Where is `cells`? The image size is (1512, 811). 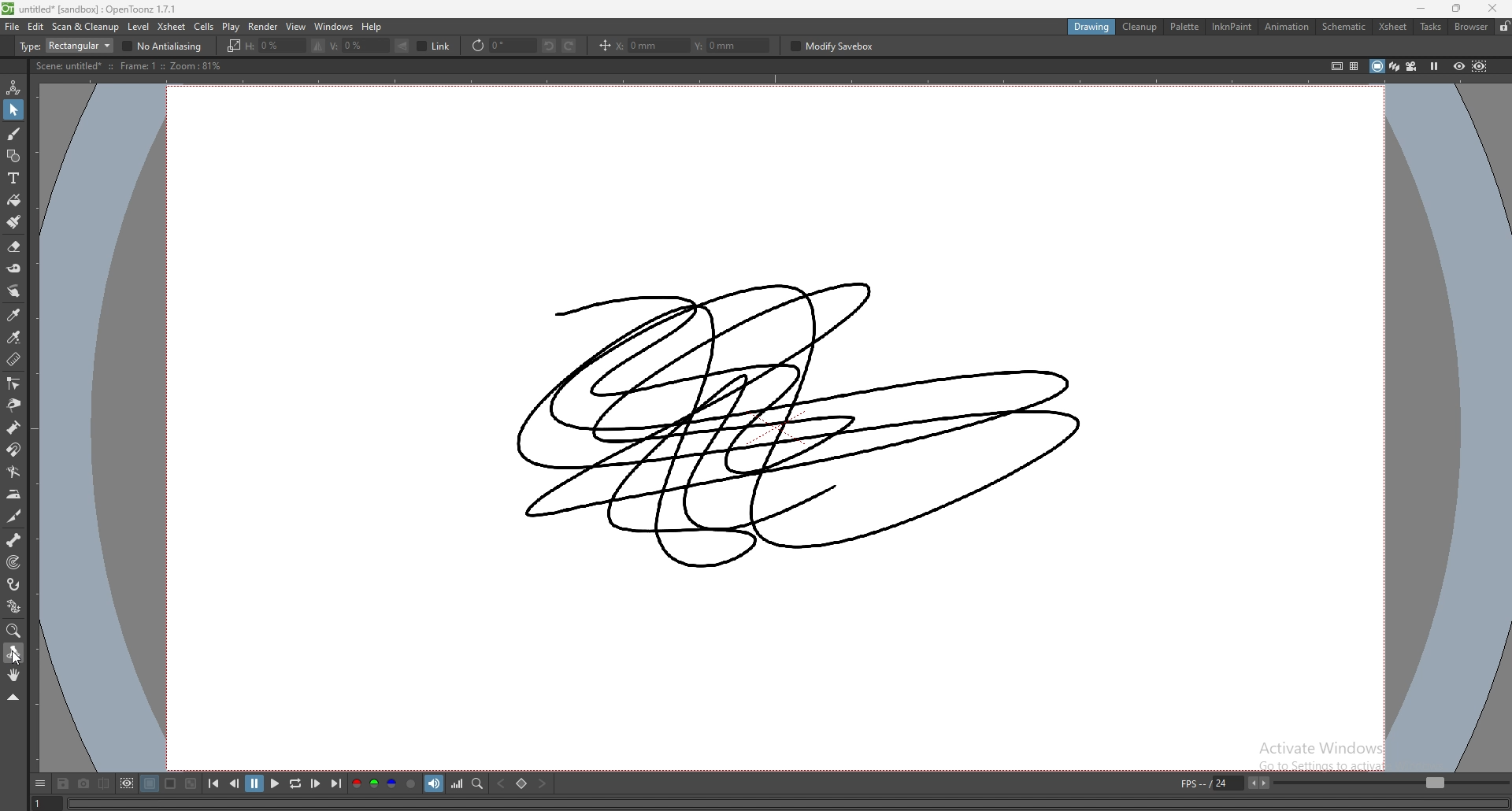
cells is located at coordinates (205, 26).